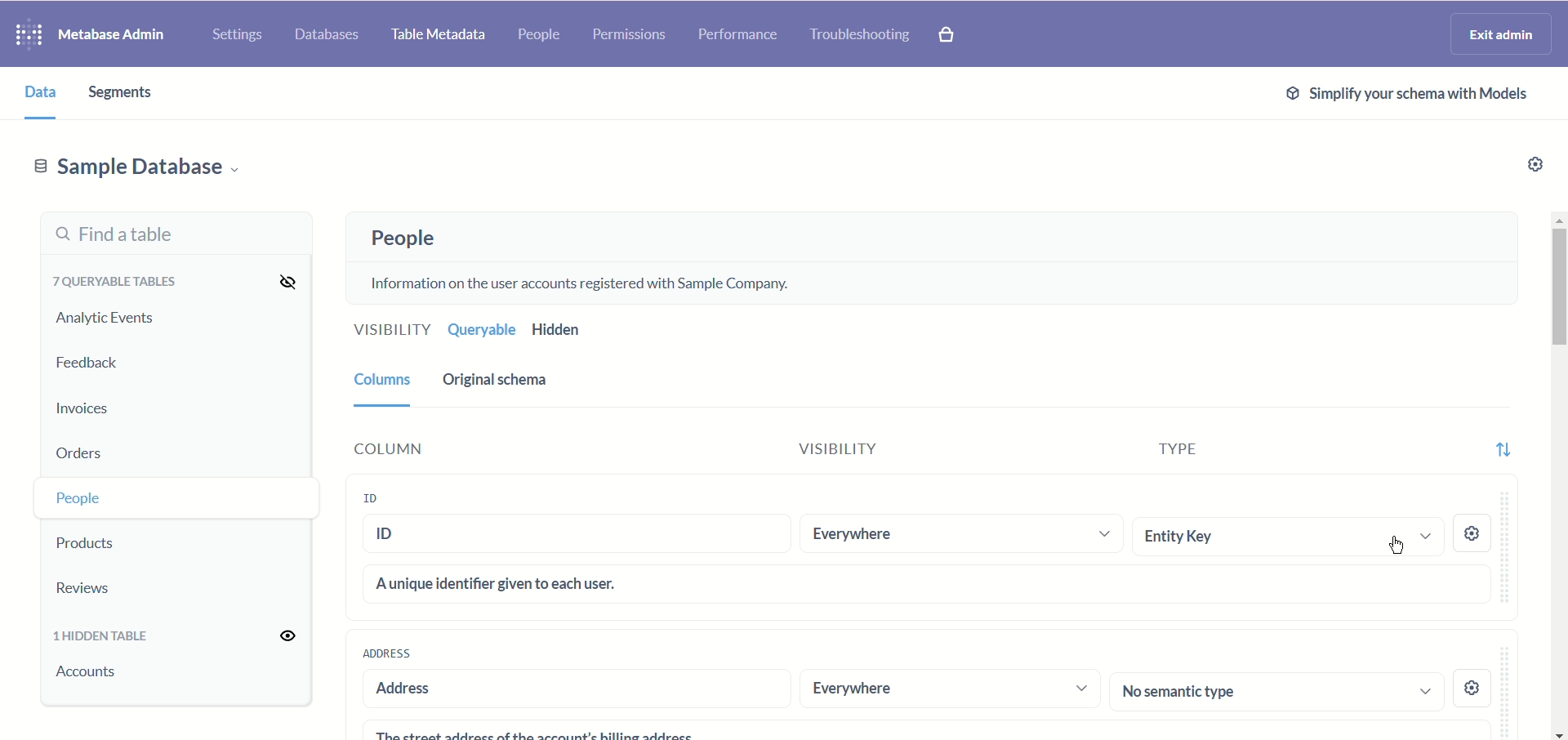  Describe the element at coordinates (329, 32) in the screenshot. I see `Databases` at that location.